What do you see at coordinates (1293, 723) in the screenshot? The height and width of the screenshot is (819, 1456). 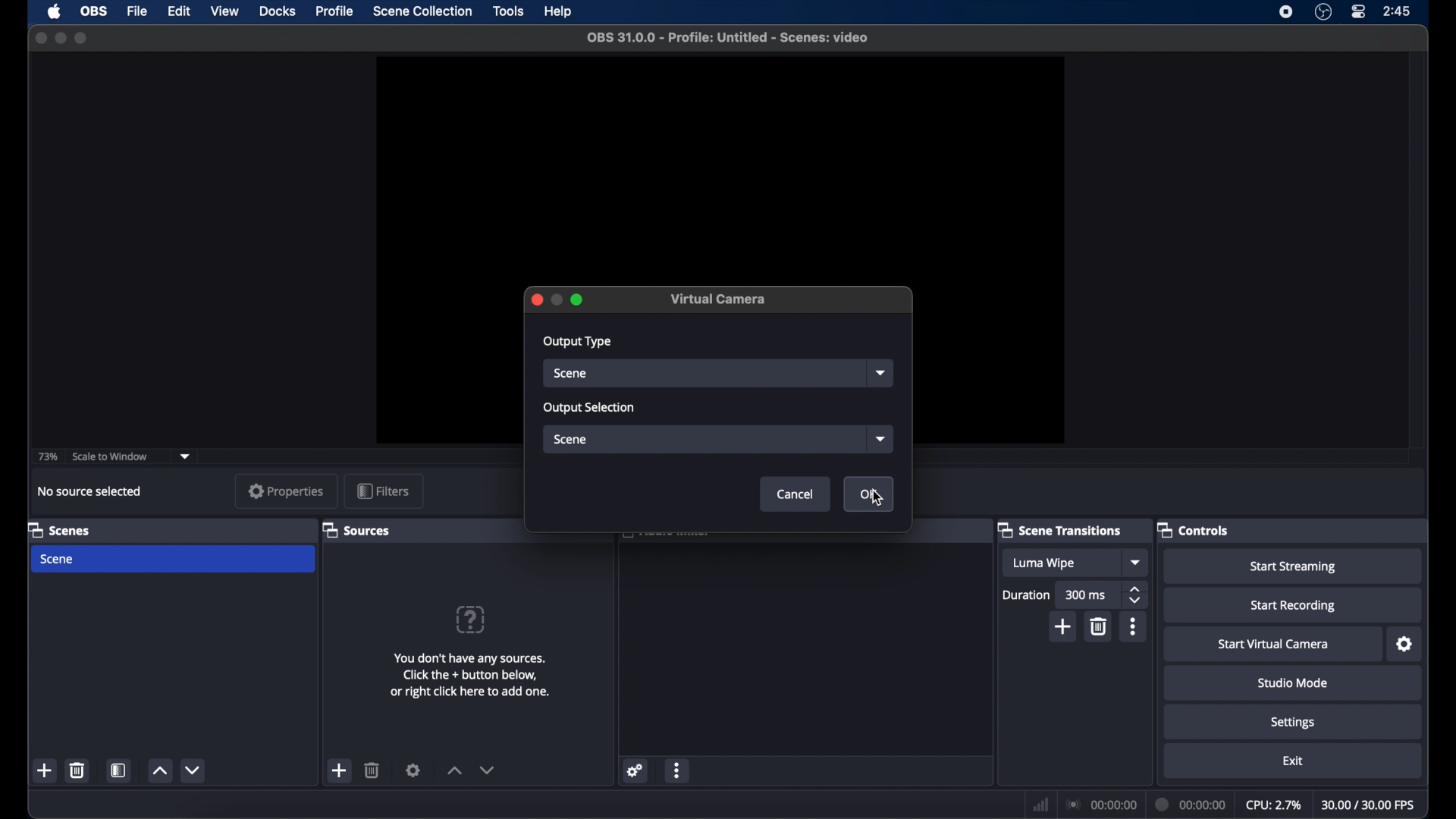 I see `settings` at bounding box center [1293, 723].